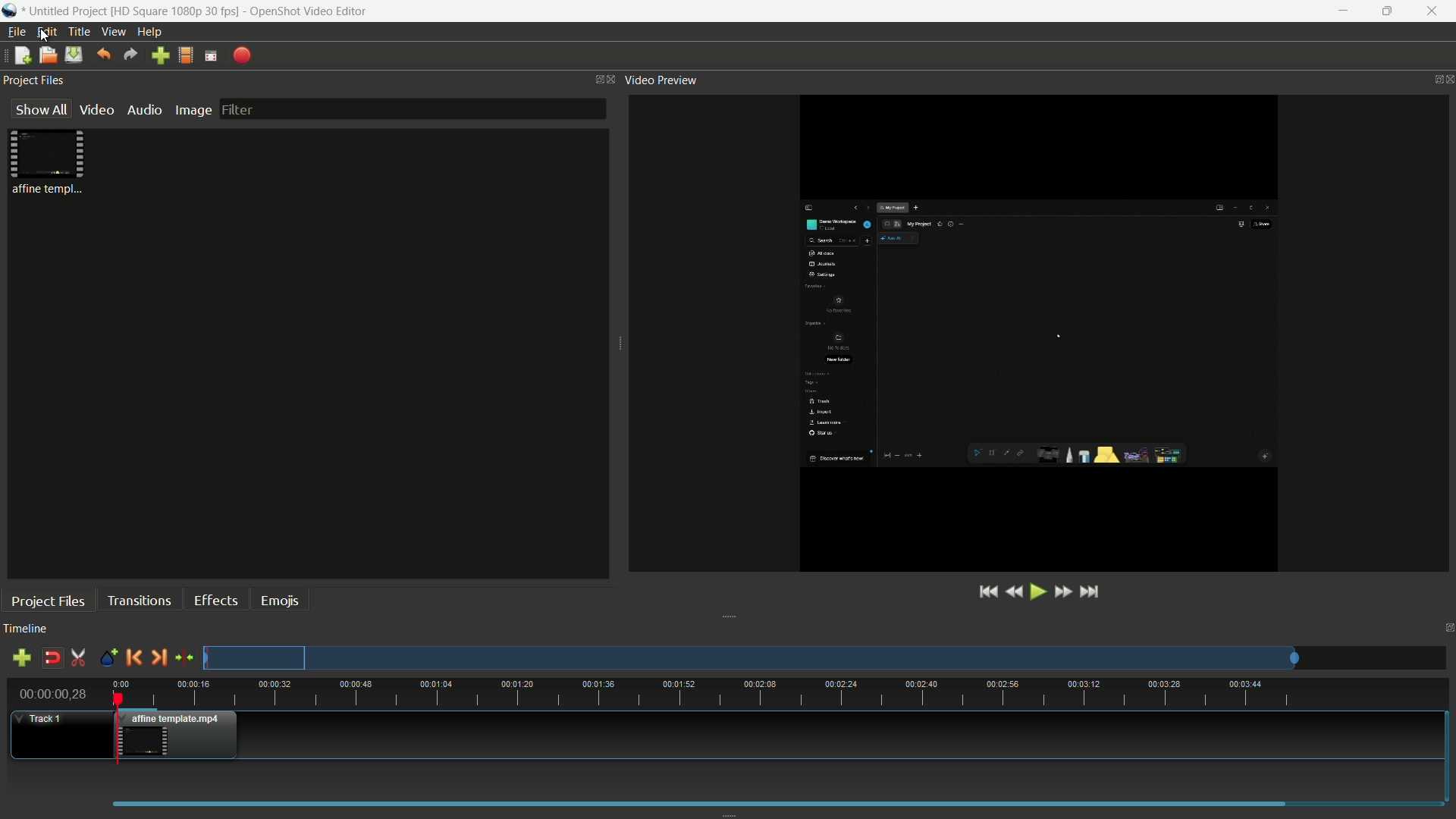 This screenshot has width=1456, height=819. Describe the element at coordinates (1447, 80) in the screenshot. I see `close video preview` at that location.